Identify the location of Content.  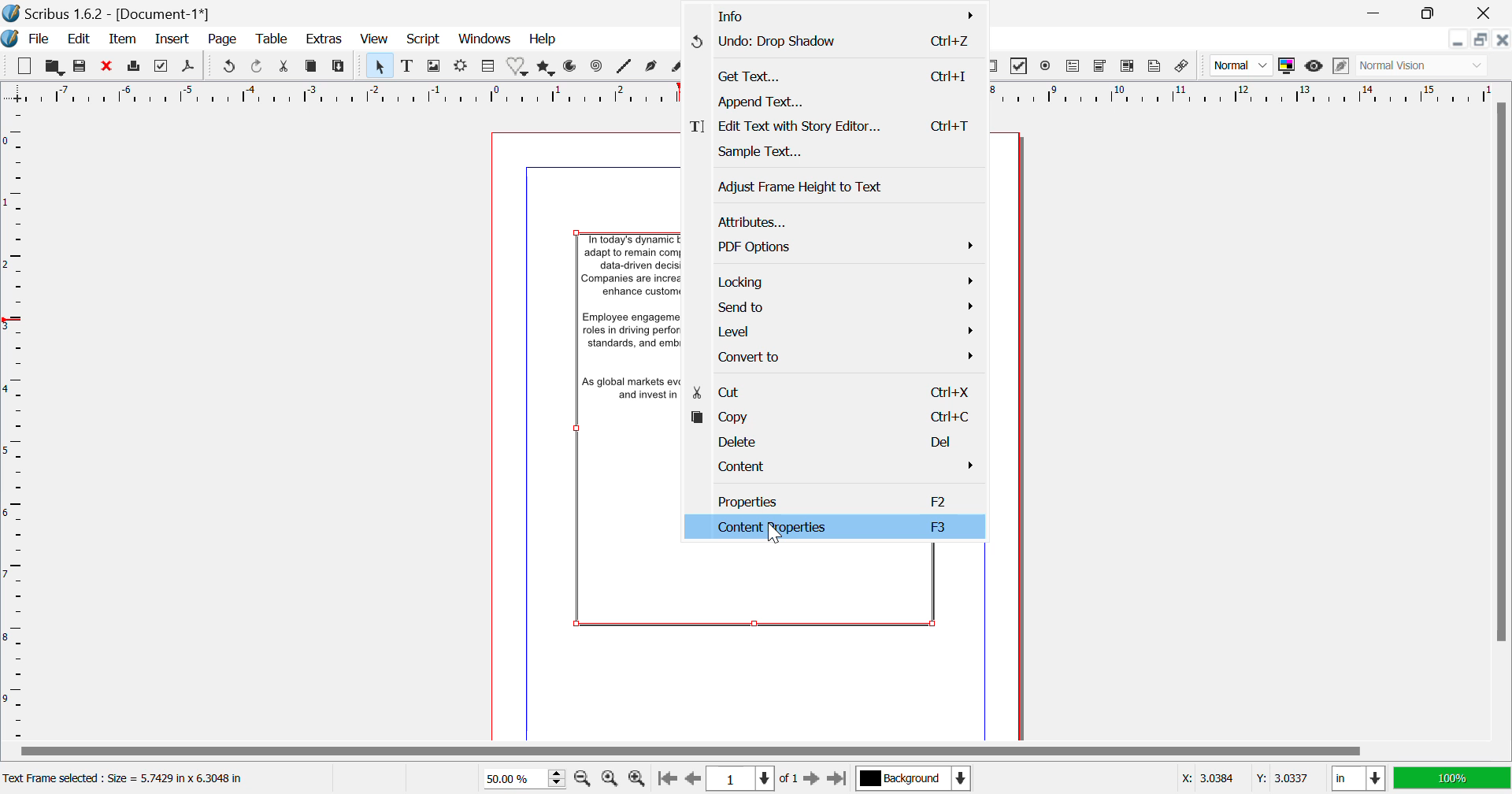
(842, 469).